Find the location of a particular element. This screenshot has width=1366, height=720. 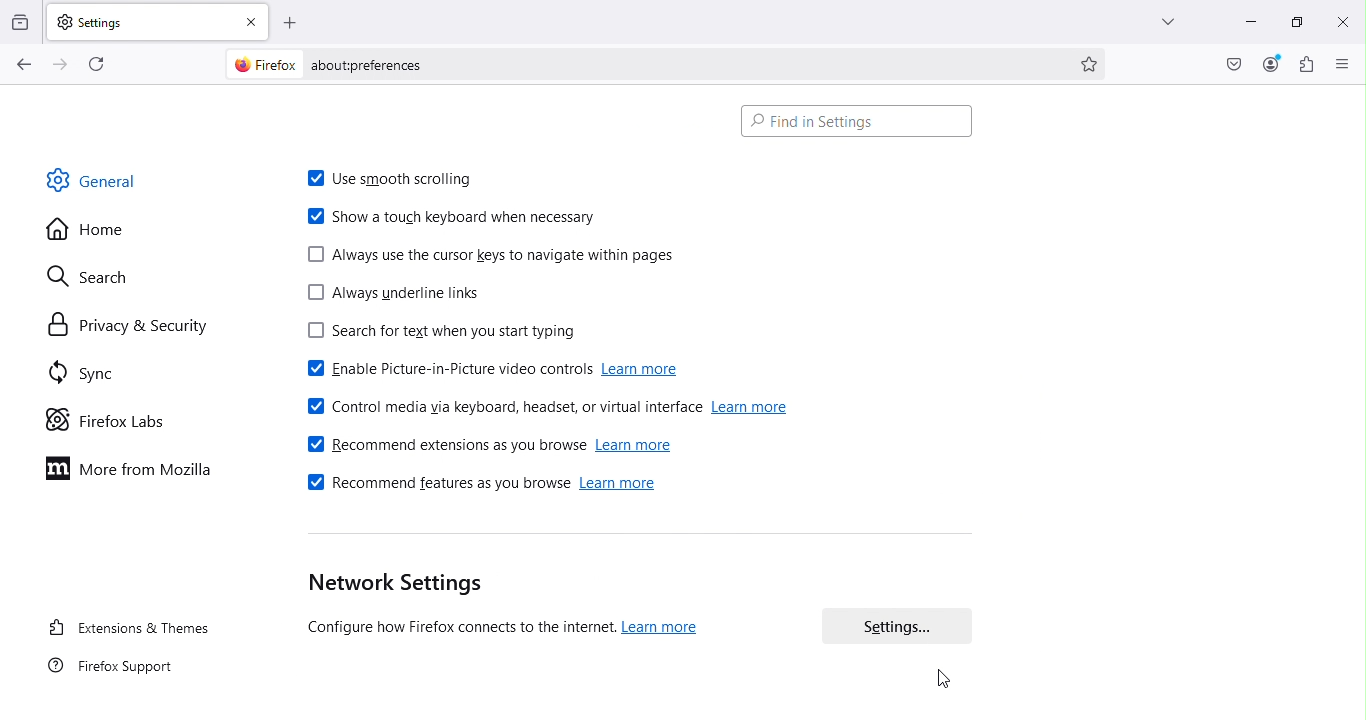

Settings tab is located at coordinates (139, 20).